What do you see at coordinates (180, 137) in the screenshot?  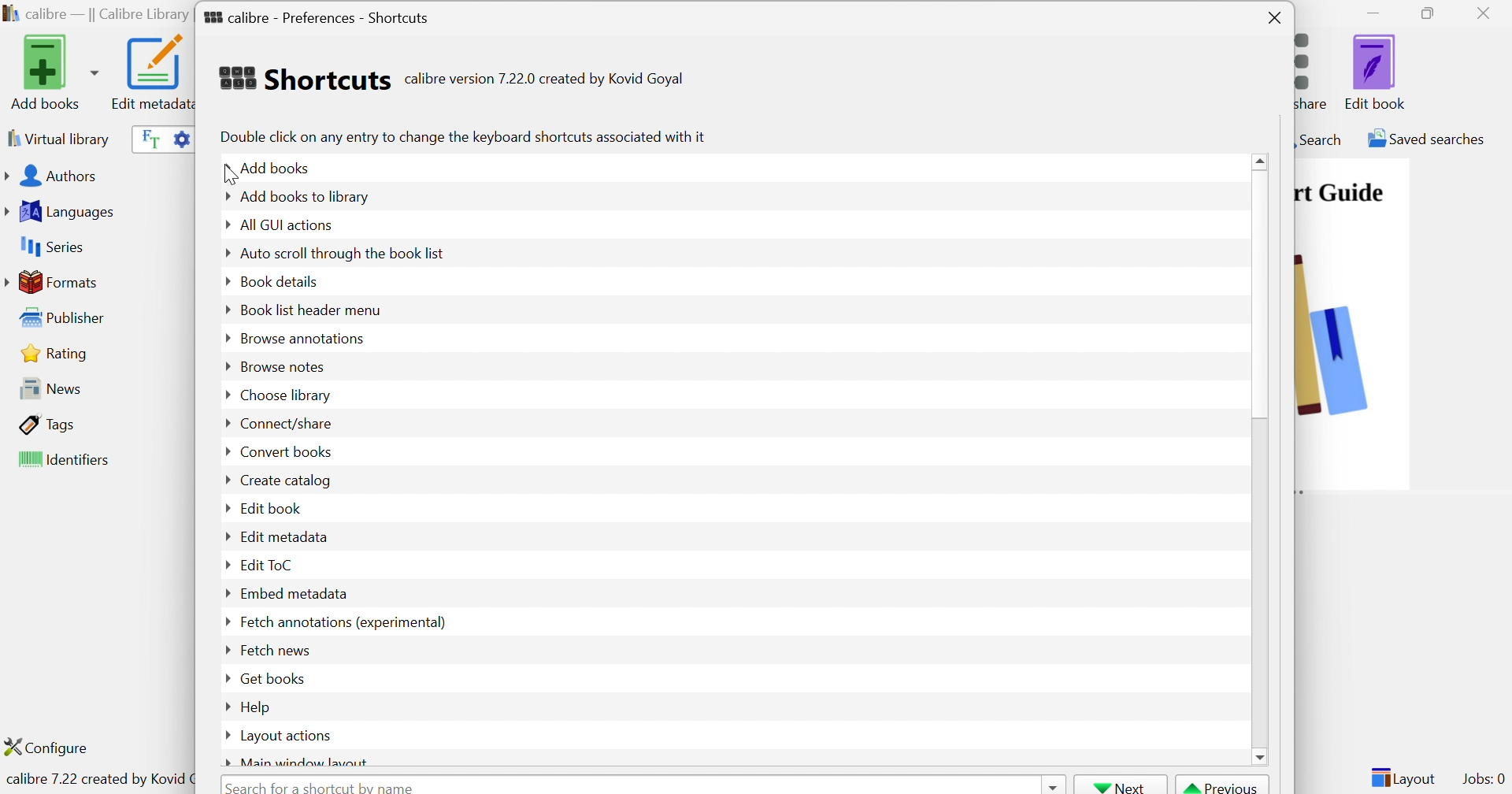 I see `Advanced search` at bounding box center [180, 137].